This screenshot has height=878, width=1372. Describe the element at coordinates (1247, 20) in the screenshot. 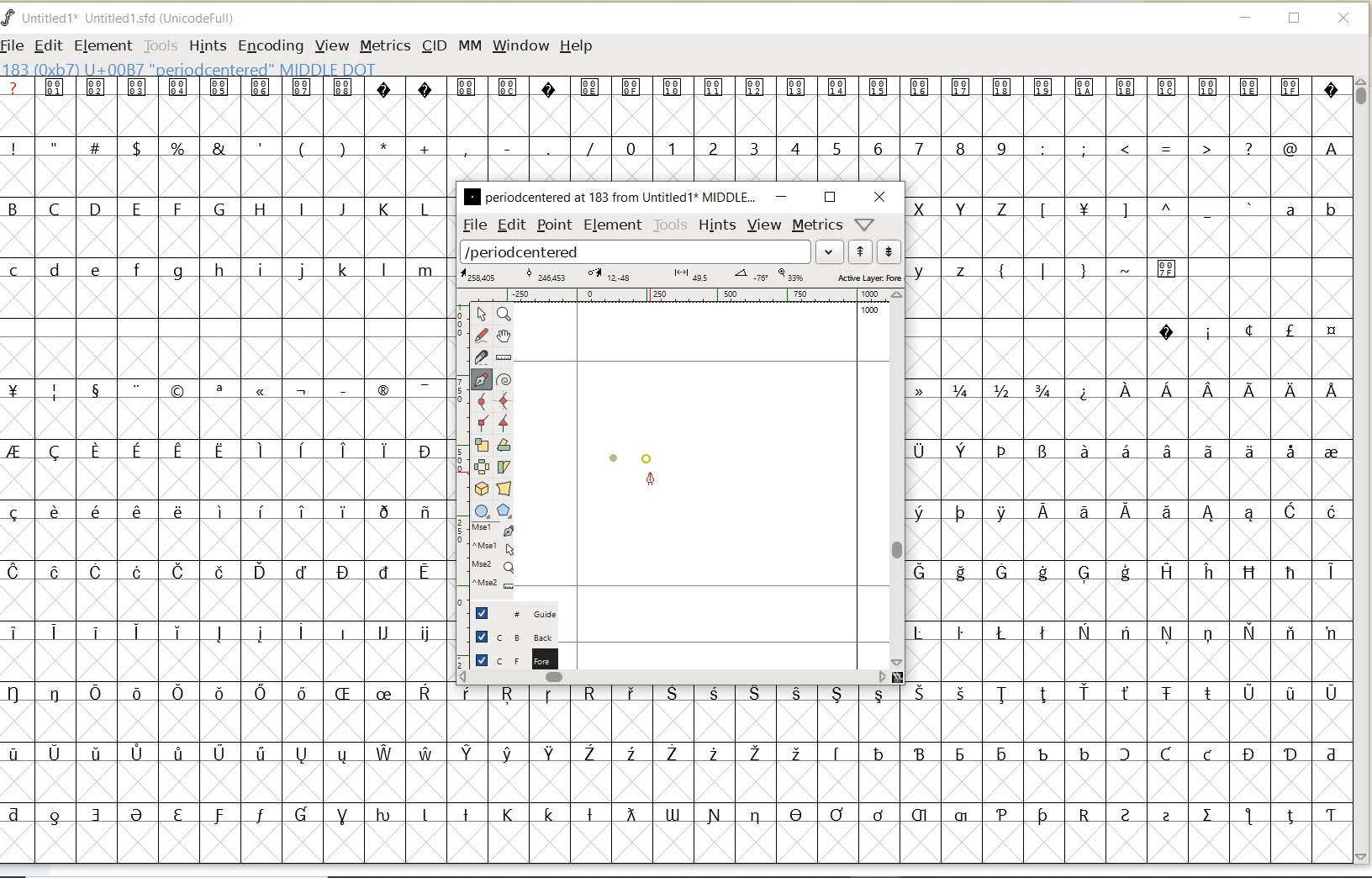

I see `MINIMIZE` at that location.